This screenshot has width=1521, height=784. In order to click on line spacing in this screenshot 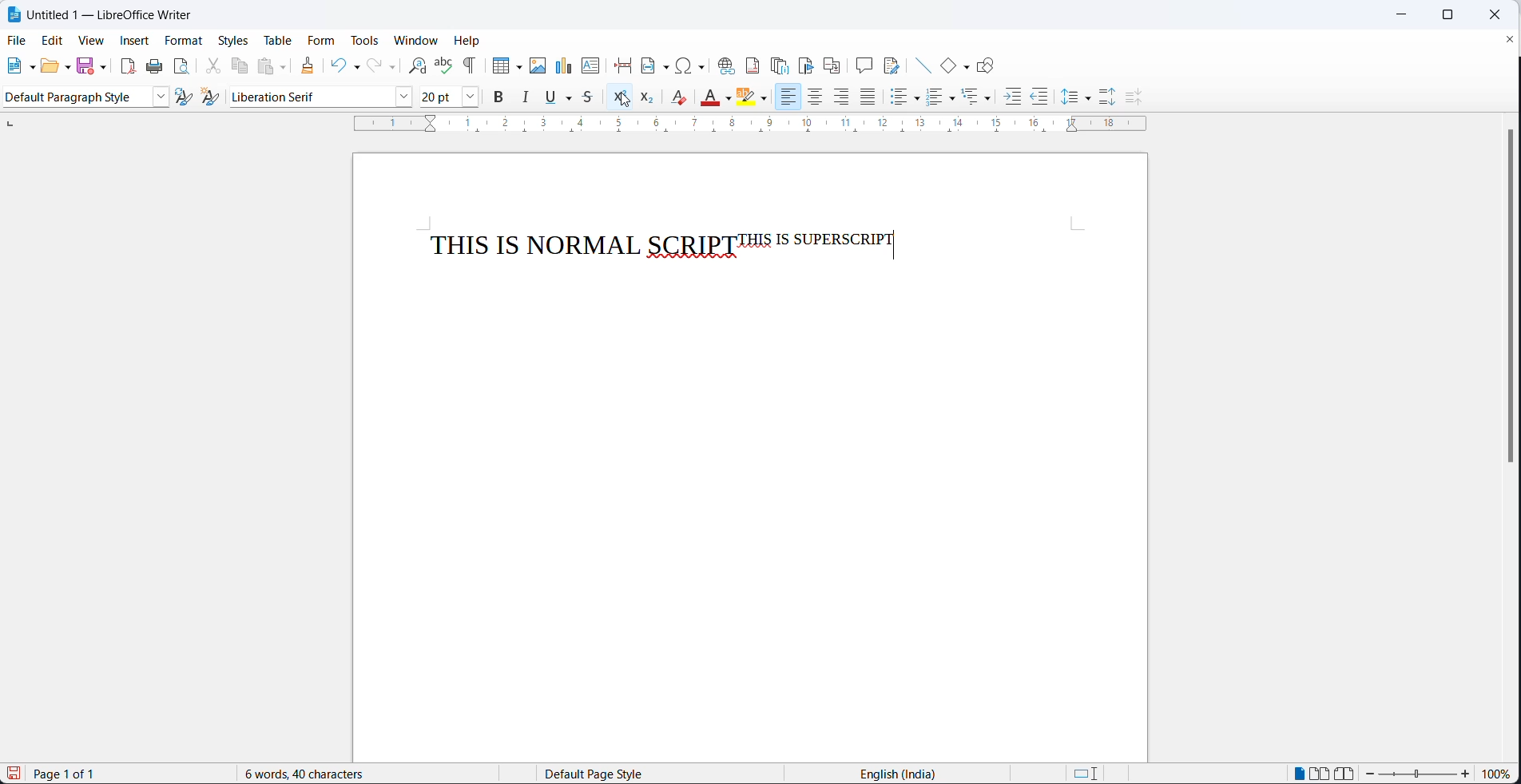, I will do `click(1068, 97)`.